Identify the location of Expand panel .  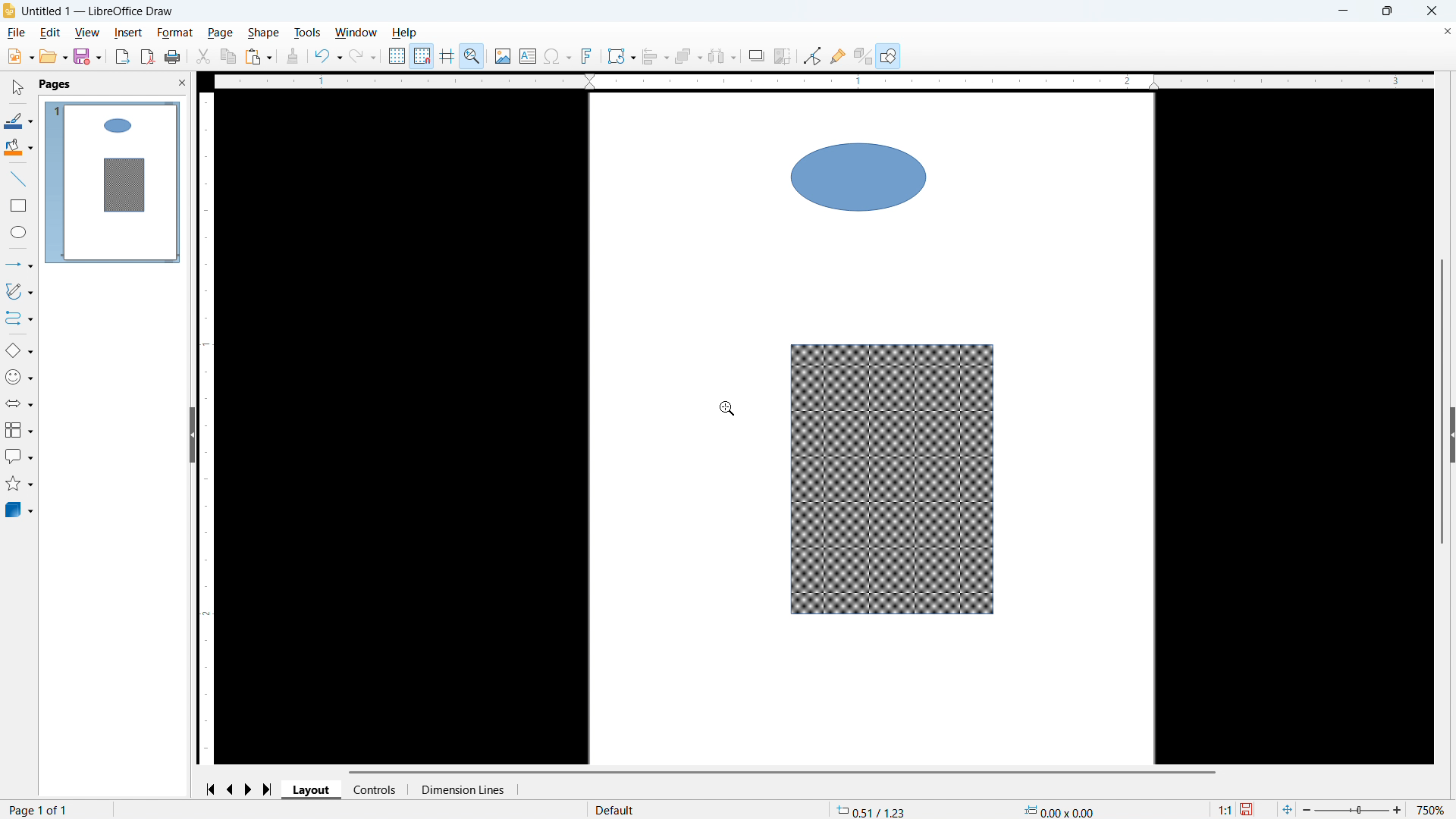
(1451, 436).